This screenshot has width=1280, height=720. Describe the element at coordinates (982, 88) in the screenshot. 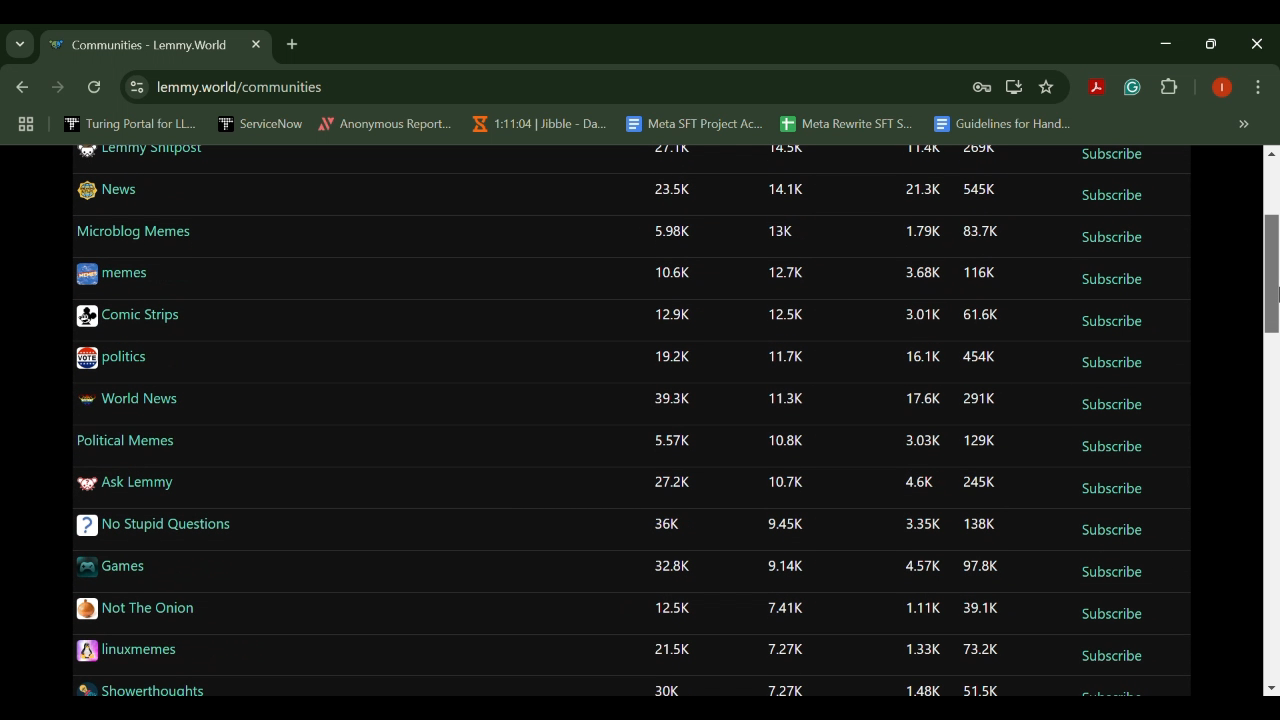

I see `Site Password Data Saved` at that location.